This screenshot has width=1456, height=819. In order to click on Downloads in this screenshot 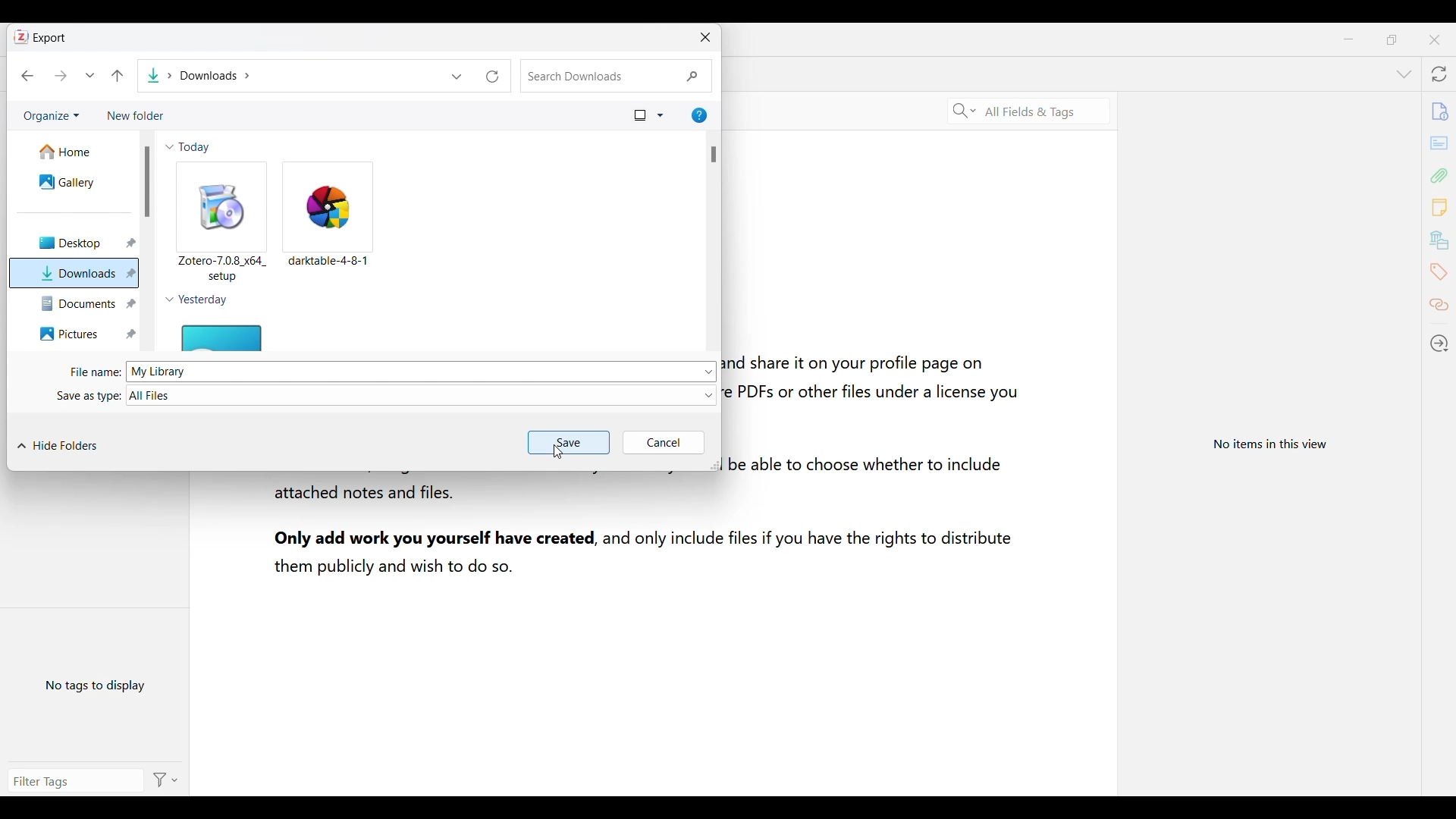, I will do `click(284, 74)`.